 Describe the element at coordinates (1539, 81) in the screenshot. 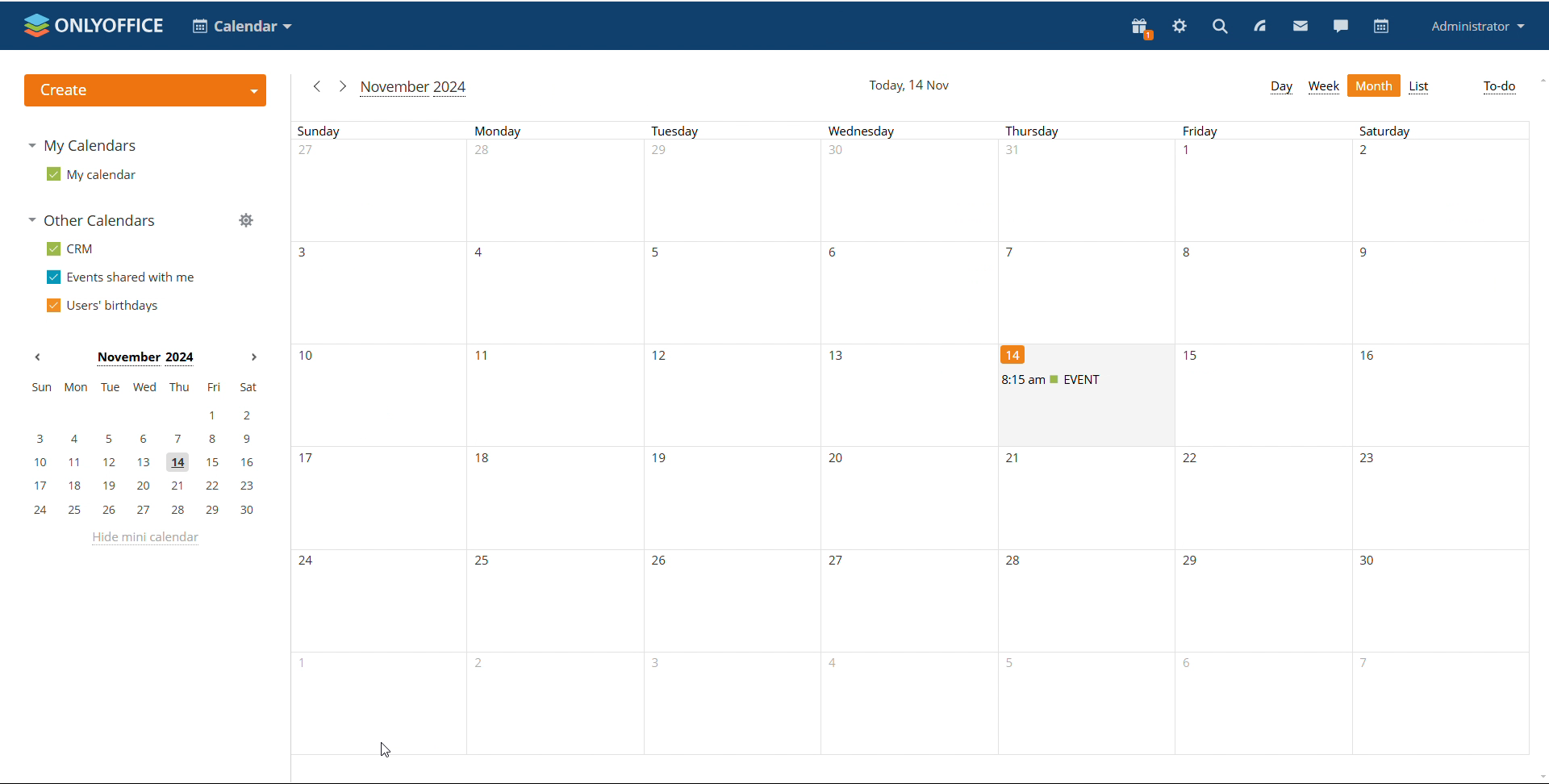

I see `scroll up` at that location.